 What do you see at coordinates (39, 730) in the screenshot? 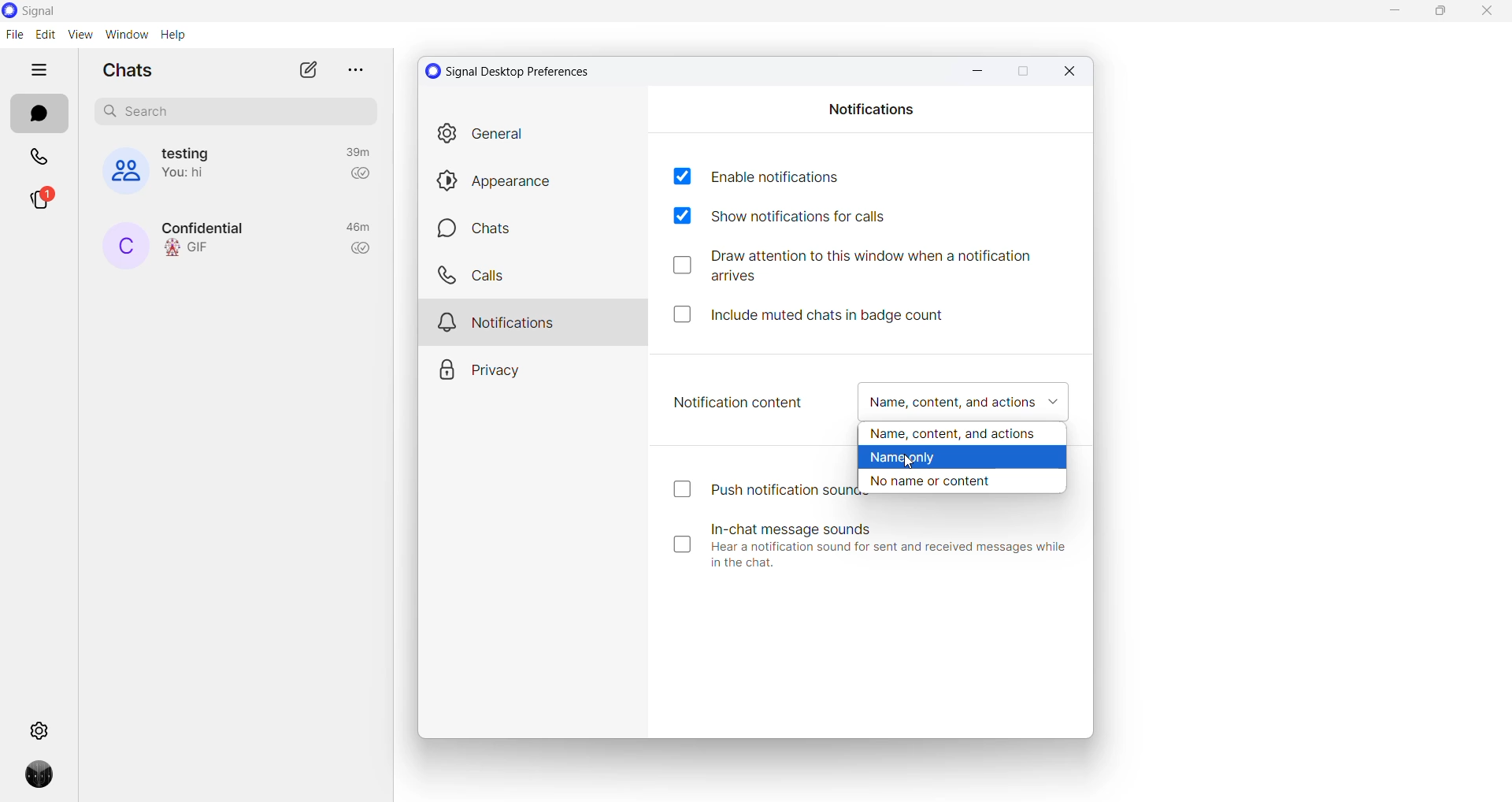
I see `settings` at bounding box center [39, 730].